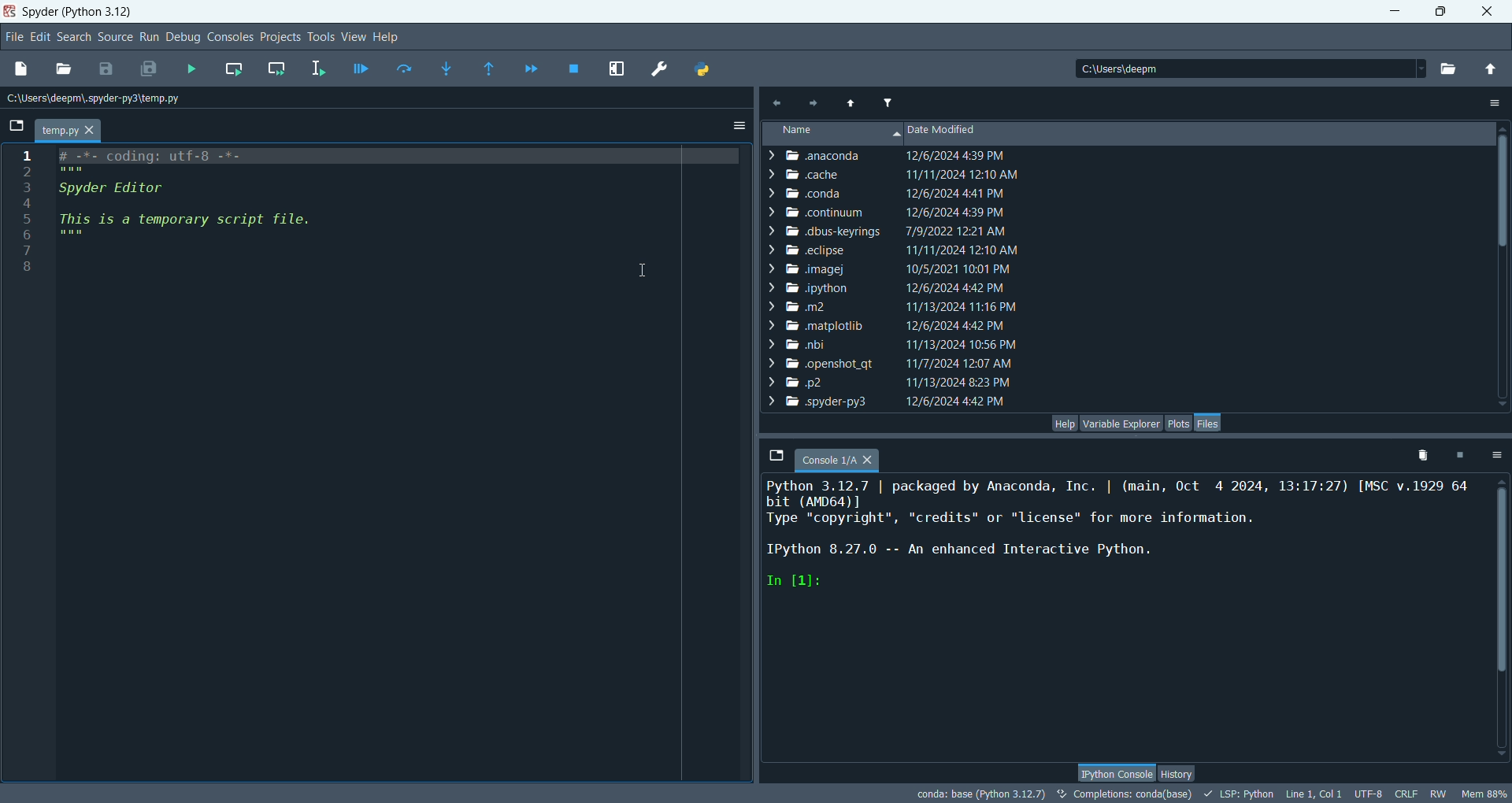 This screenshot has width=1512, height=803. Describe the element at coordinates (13, 38) in the screenshot. I see `file` at that location.